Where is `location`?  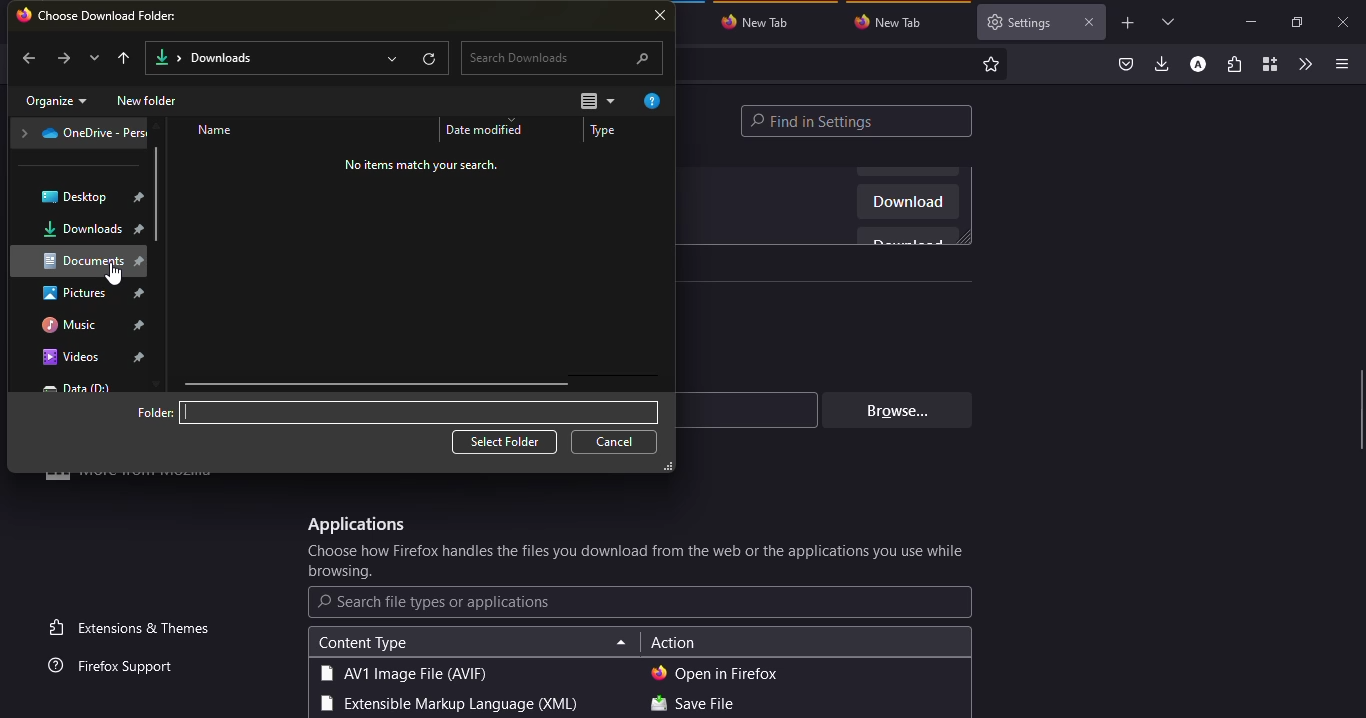
location is located at coordinates (76, 357).